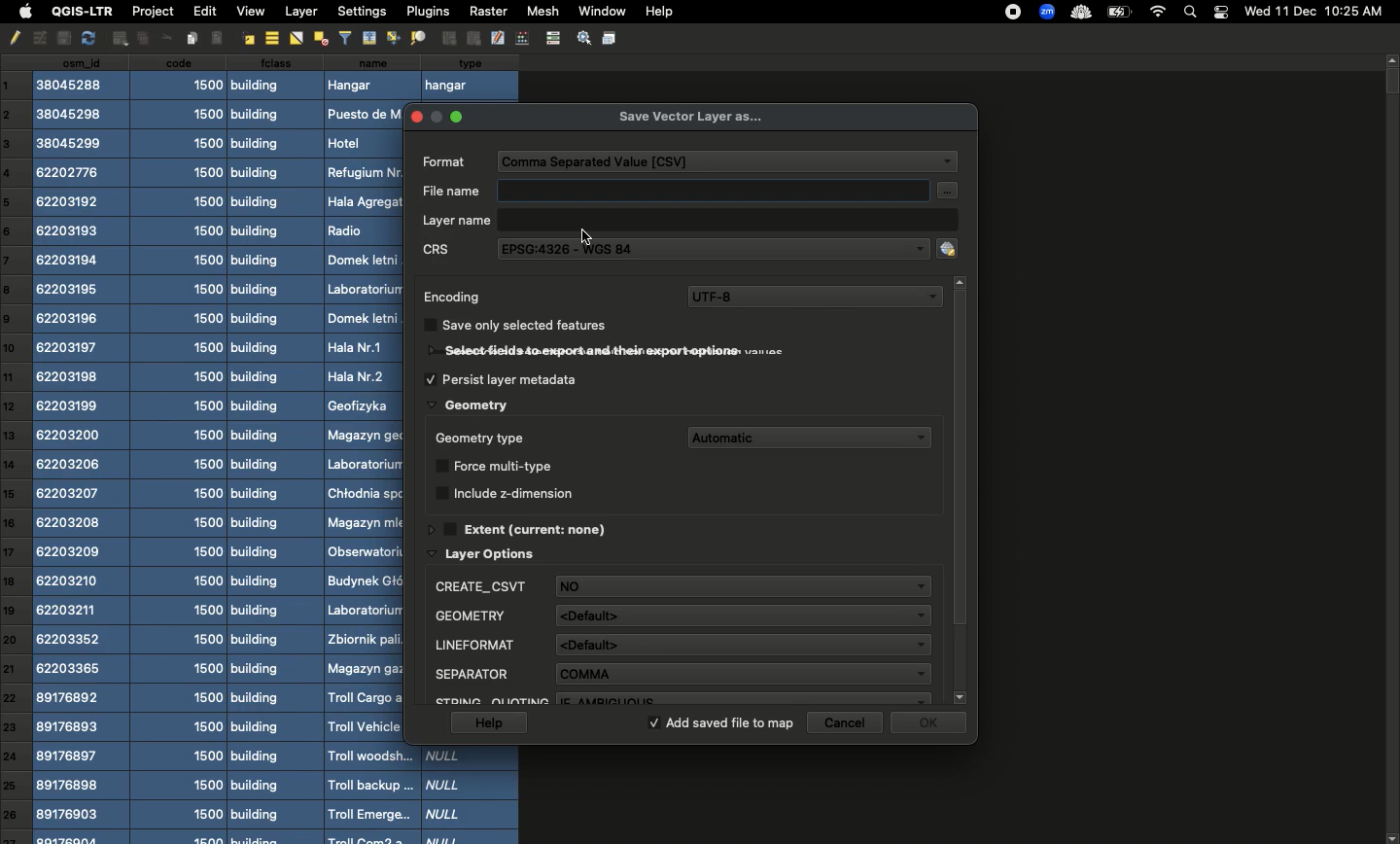 The width and height of the screenshot is (1400, 844). What do you see at coordinates (192, 38) in the screenshot?
I see `Insert Image` at bounding box center [192, 38].